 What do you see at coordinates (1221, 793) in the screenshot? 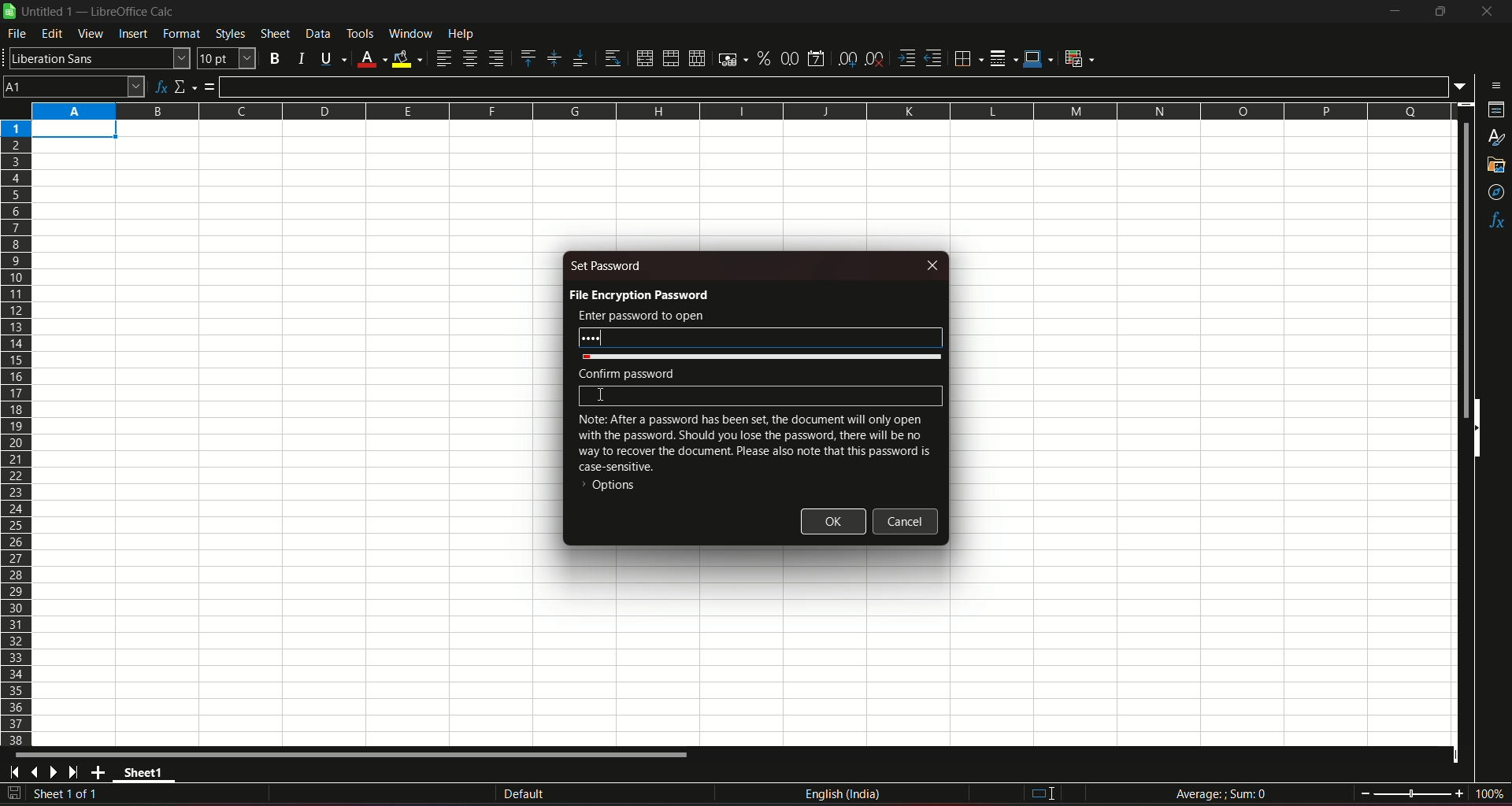
I see `formula` at bounding box center [1221, 793].